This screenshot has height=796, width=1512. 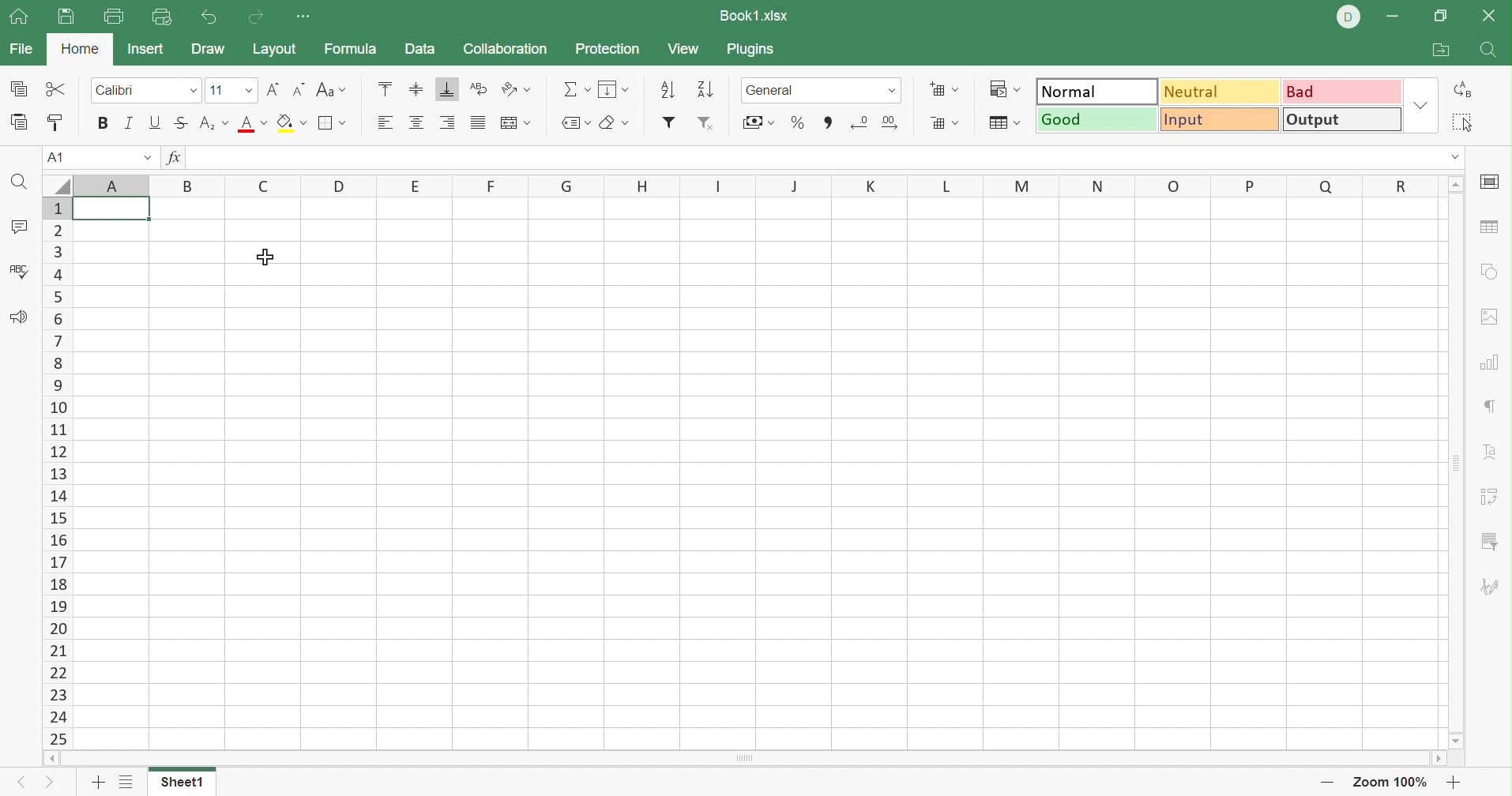 I want to click on Wrap text, so click(x=480, y=86).